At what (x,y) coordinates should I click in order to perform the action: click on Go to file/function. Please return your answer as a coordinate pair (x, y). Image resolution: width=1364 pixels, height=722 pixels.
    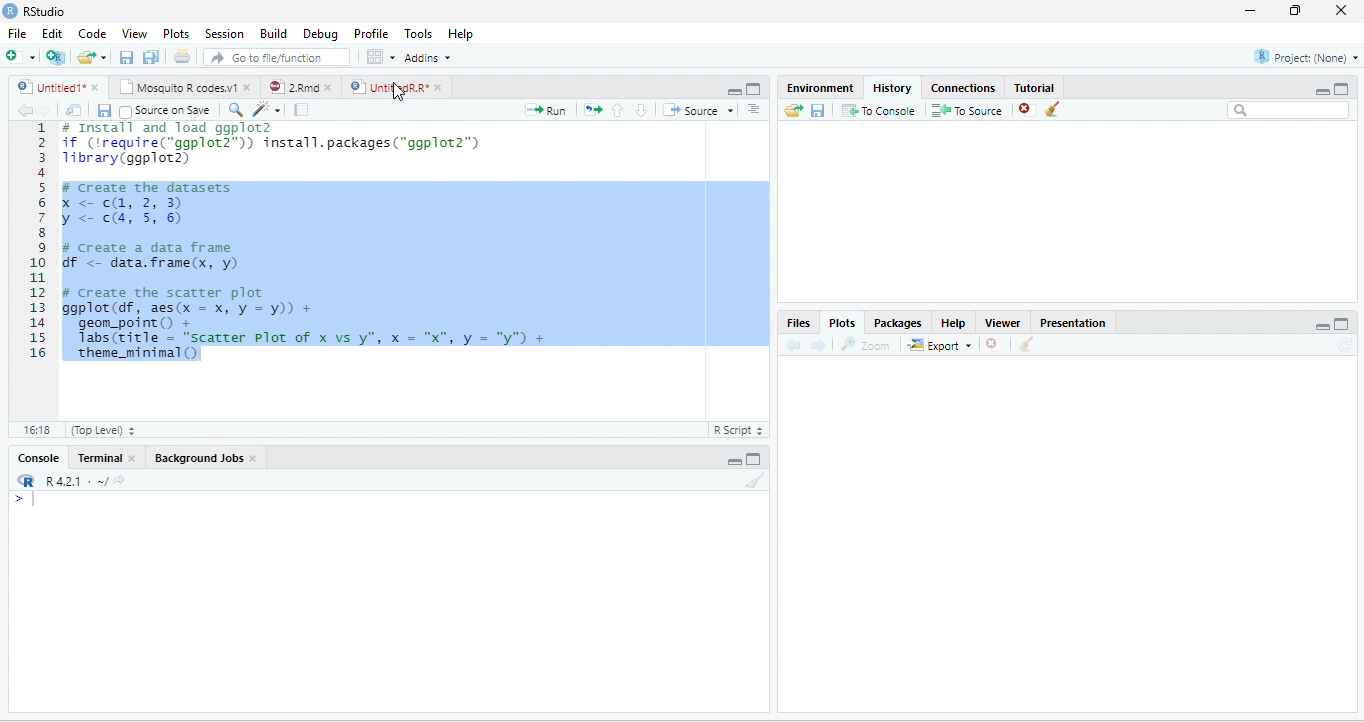
    Looking at the image, I should click on (277, 56).